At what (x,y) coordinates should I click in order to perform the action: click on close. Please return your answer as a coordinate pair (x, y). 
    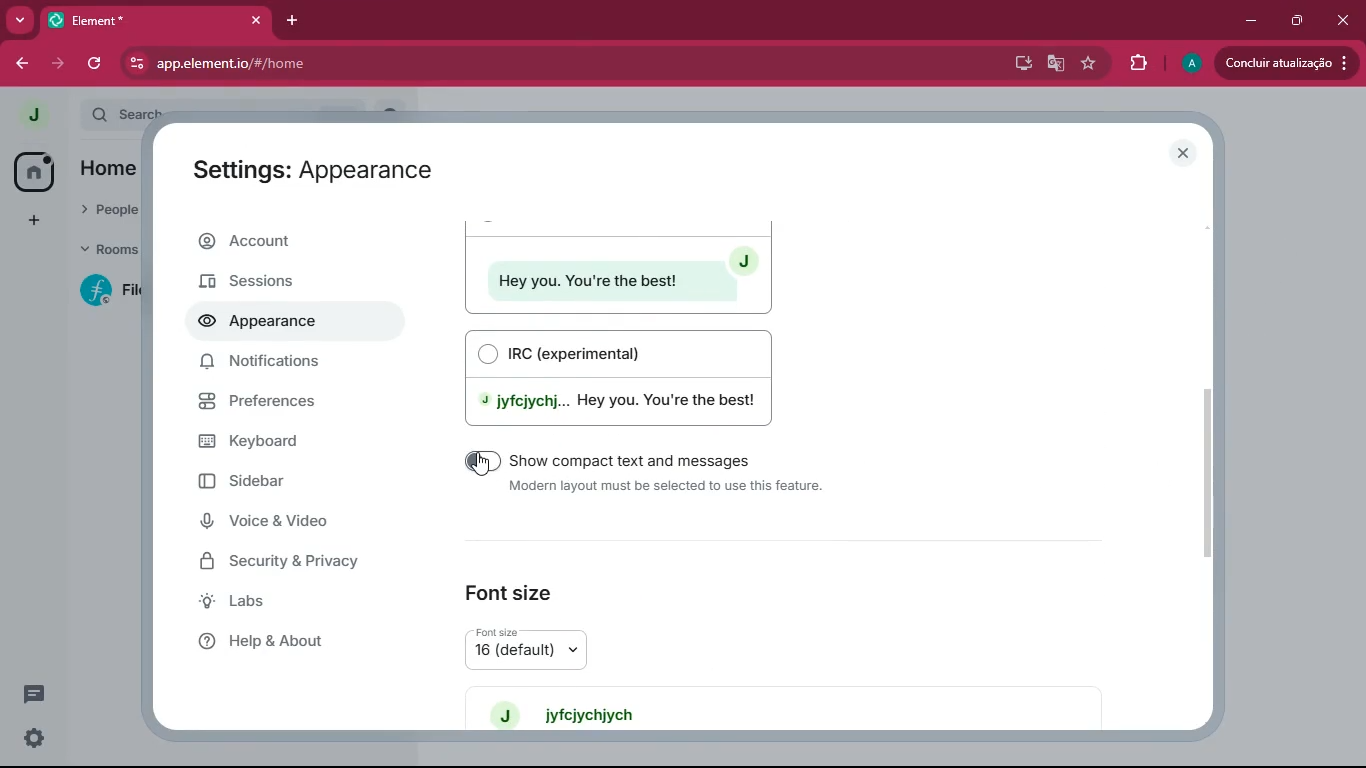
    Looking at the image, I should click on (1344, 15).